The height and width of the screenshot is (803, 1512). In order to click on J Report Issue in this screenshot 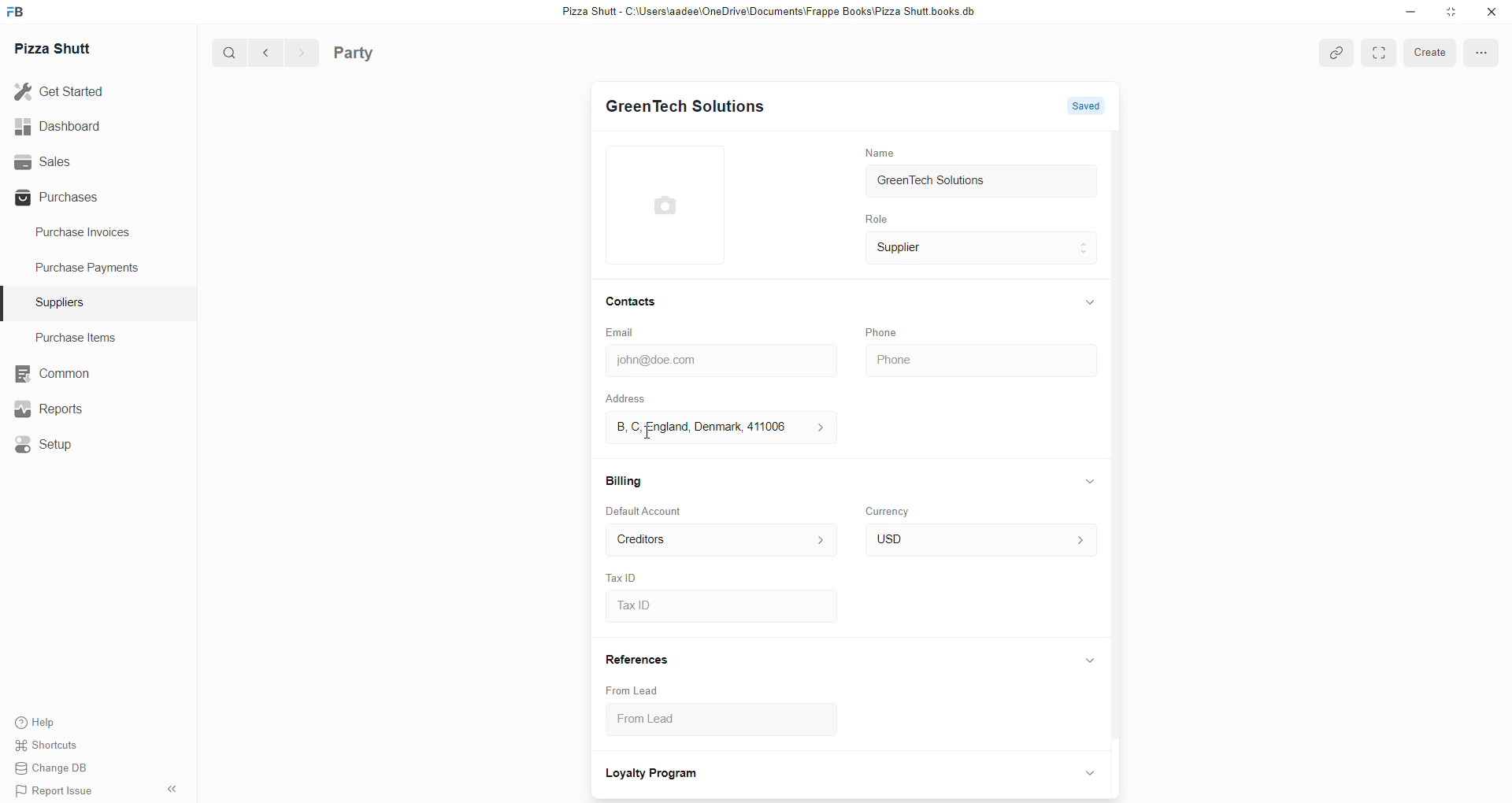, I will do `click(57, 792)`.